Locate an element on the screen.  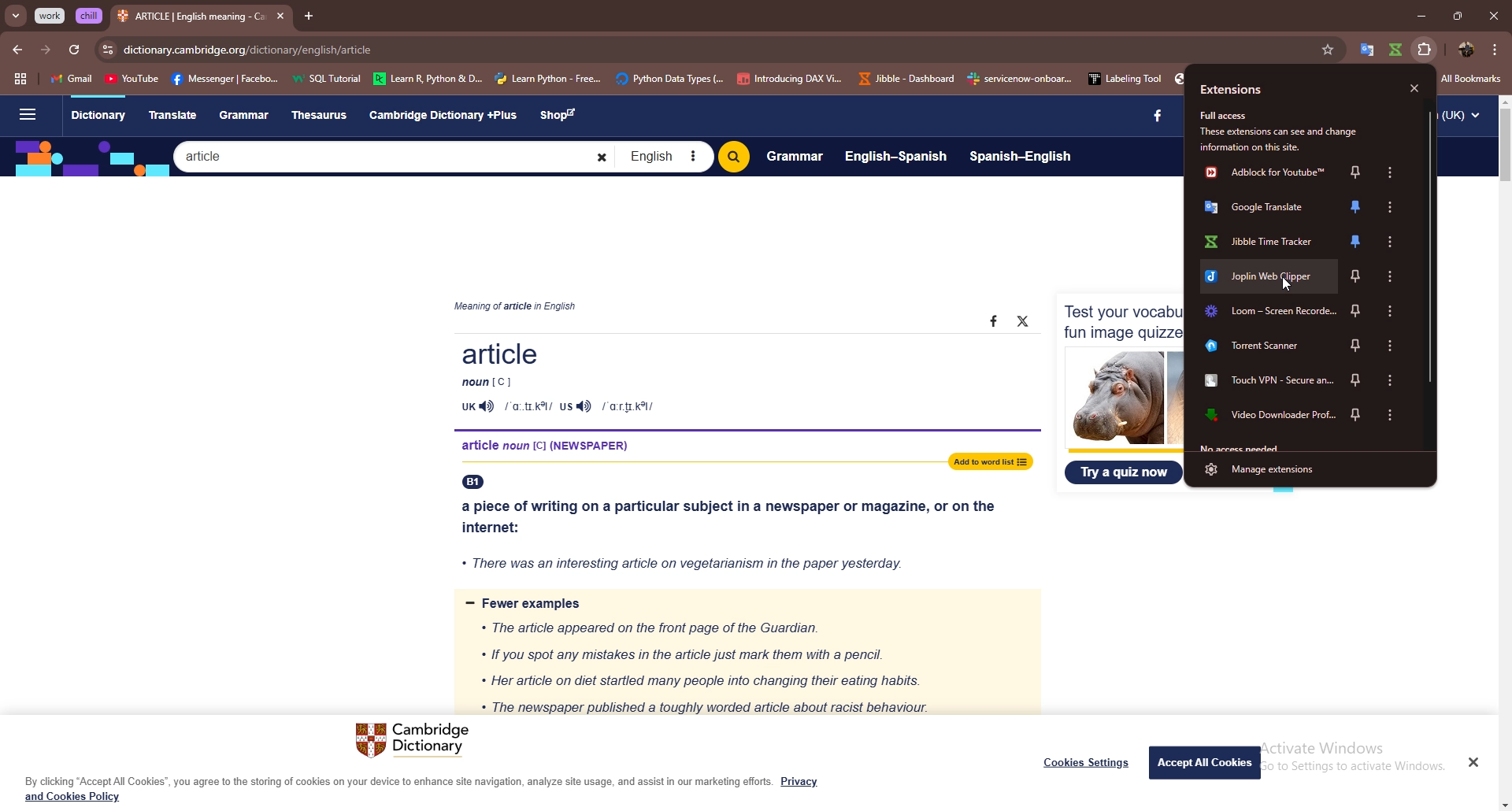
By clicking “Accept All Cookies”, you agree to the storing of cookies on your device to enhance site navigation, analyze site usage, and assist in our marketing efforts. Privacy
and Cookies Policy is located at coordinates (422, 789).